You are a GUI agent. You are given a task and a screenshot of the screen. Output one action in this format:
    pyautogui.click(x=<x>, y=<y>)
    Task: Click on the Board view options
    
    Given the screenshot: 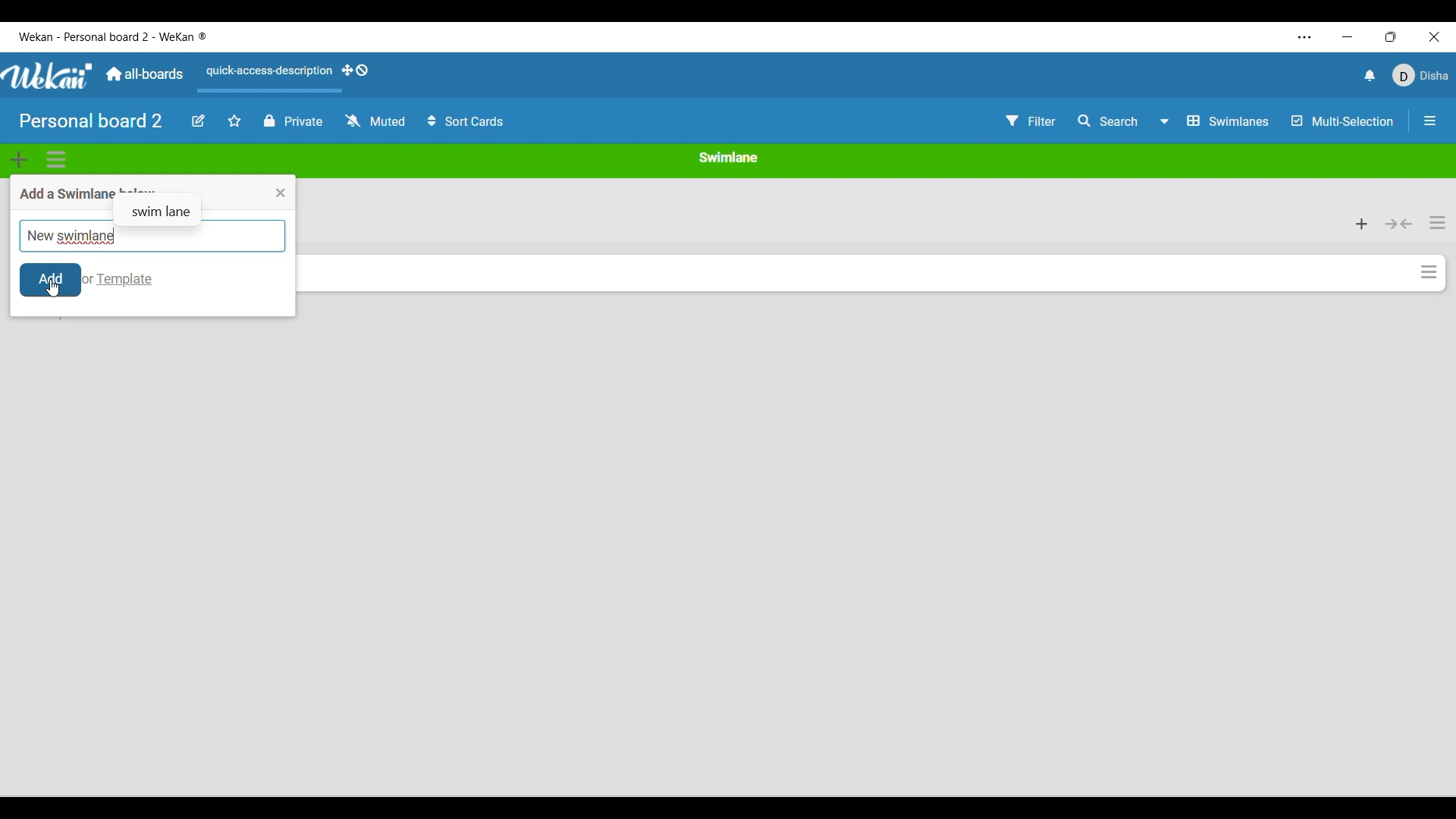 What is the action you would take?
    pyautogui.click(x=1214, y=121)
    